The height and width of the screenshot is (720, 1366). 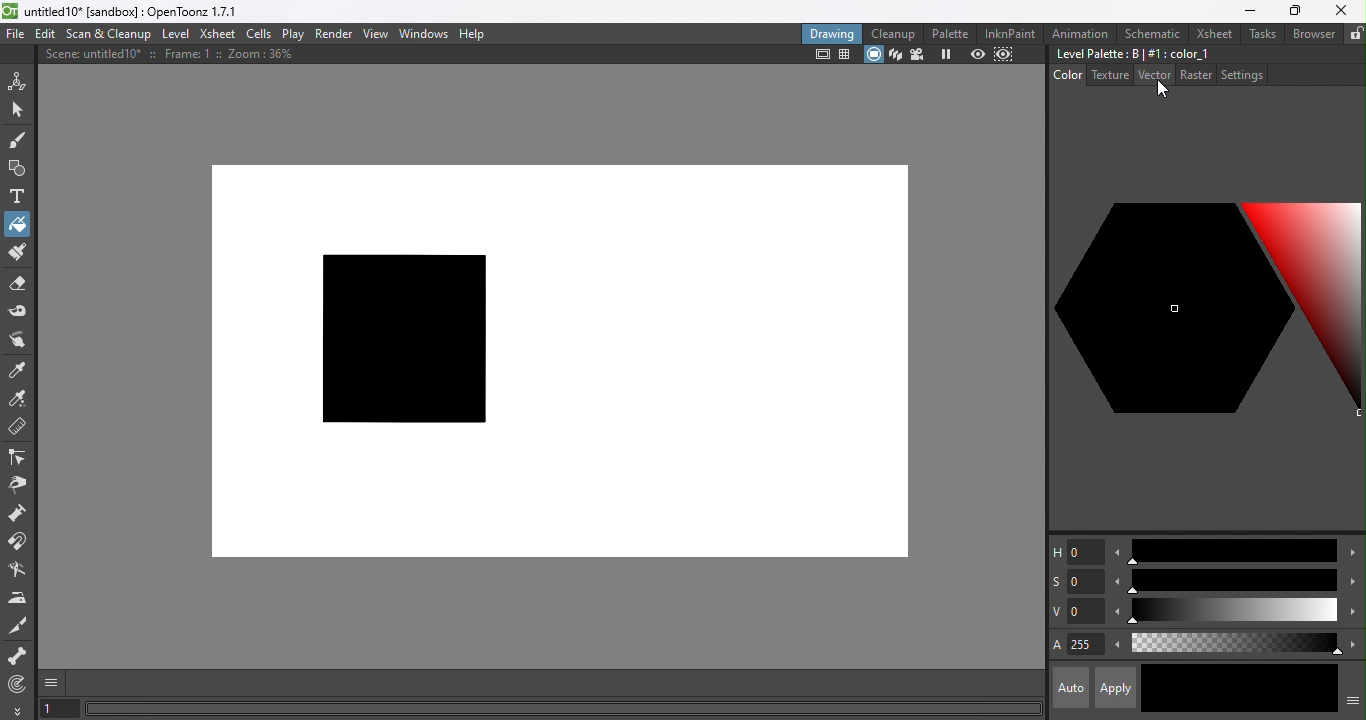 What do you see at coordinates (564, 709) in the screenshot?
I see `horizontal scroll bar` at bounding box center [564, 709].